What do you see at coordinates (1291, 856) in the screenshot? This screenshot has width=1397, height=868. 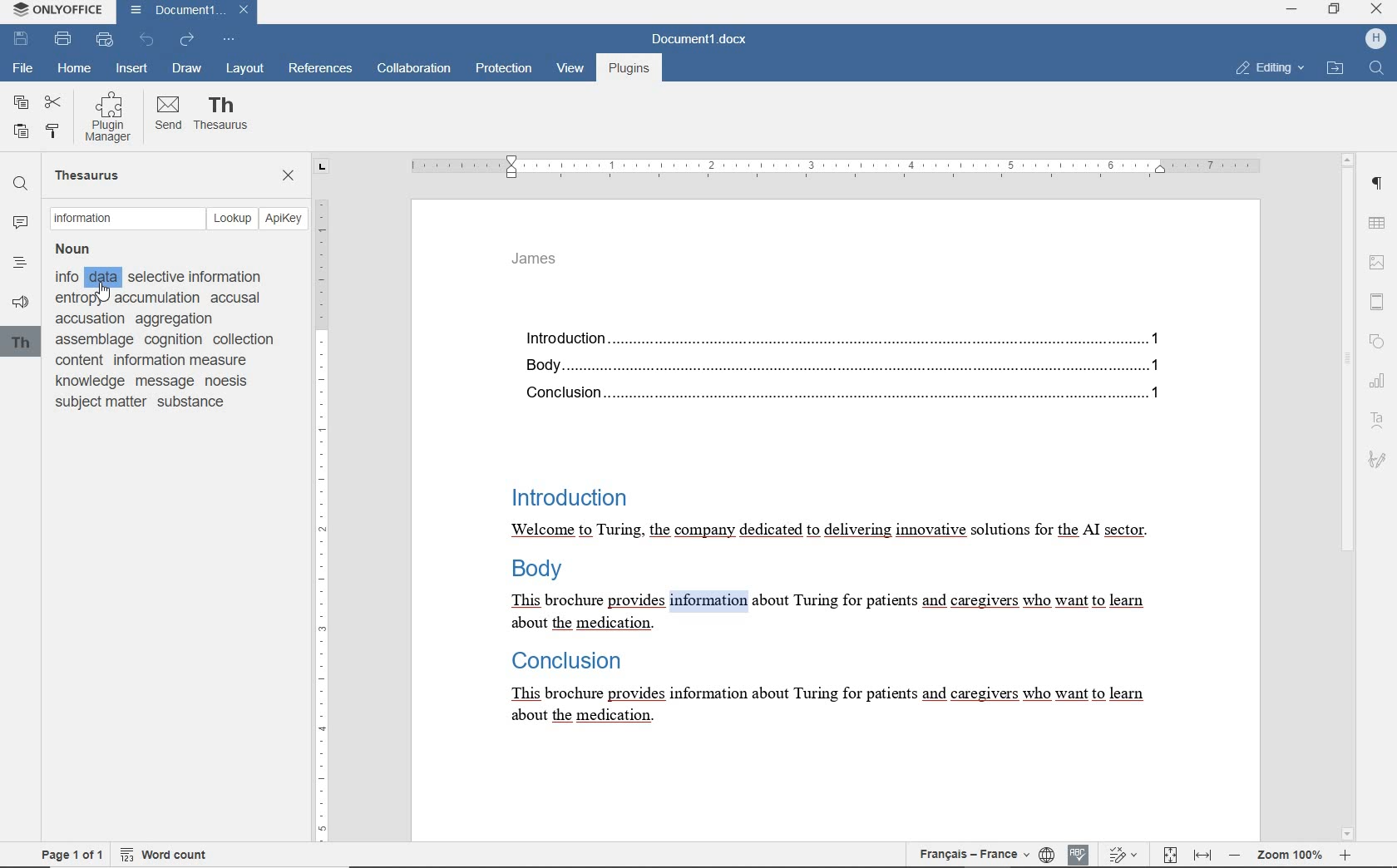 I see `ZOOM 100%` at bounding box center [1291, 856].